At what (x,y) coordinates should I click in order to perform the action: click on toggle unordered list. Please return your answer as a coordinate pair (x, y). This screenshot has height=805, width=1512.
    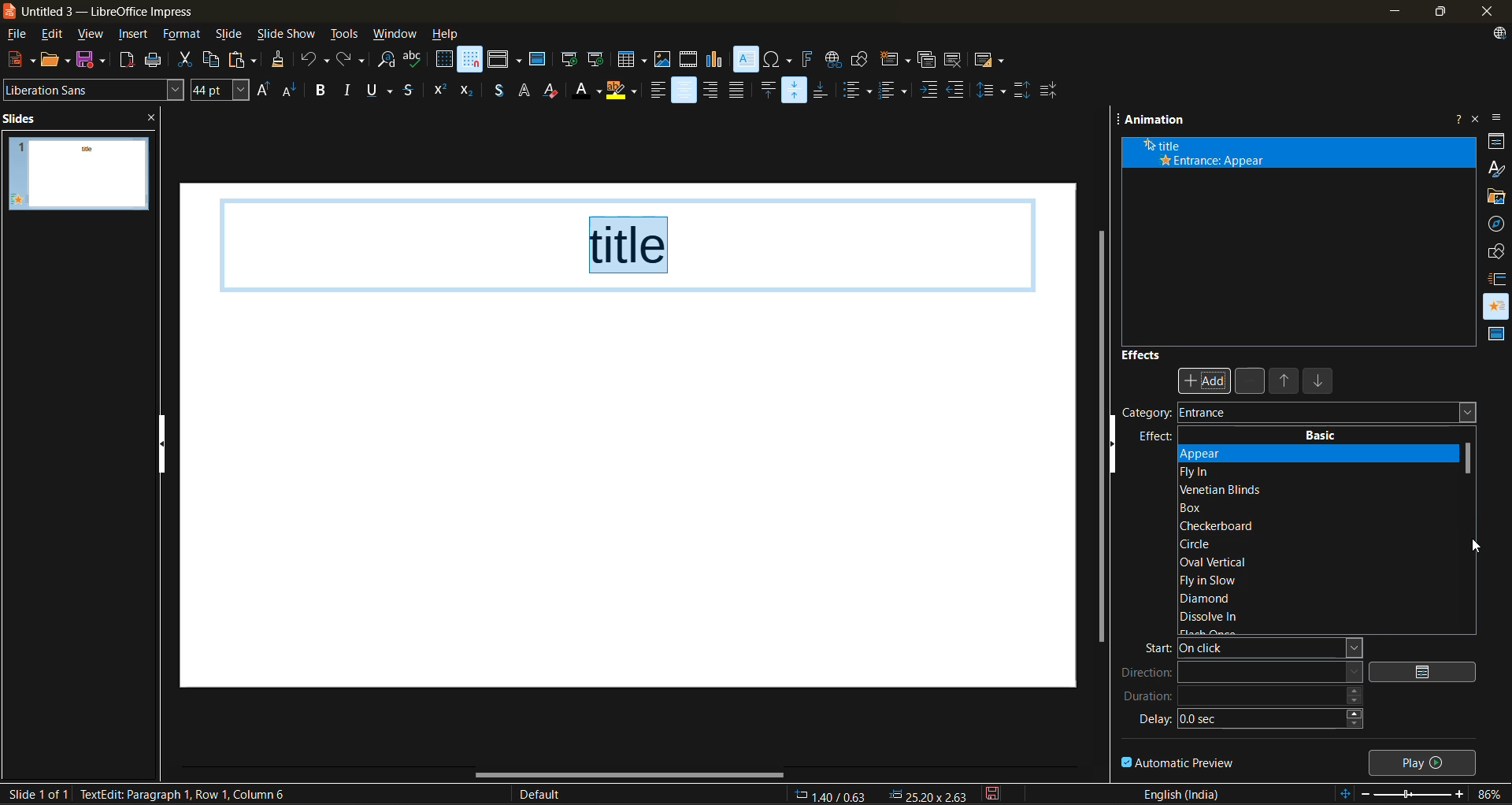
    Looking at the image, I should click on (861, 91).